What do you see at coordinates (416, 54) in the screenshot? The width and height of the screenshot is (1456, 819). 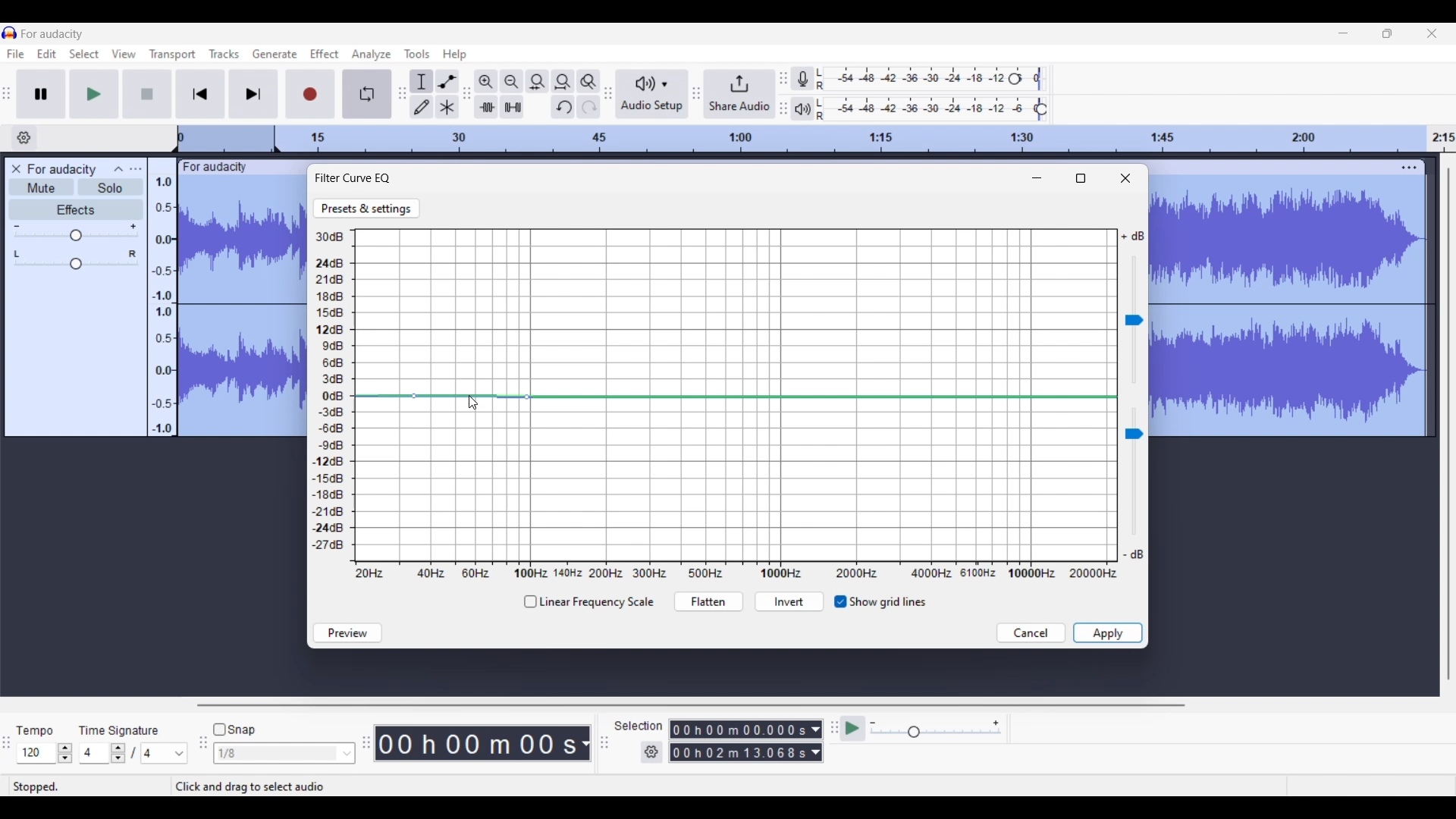 I see `Tools menu` at bounding box center [416, 54].